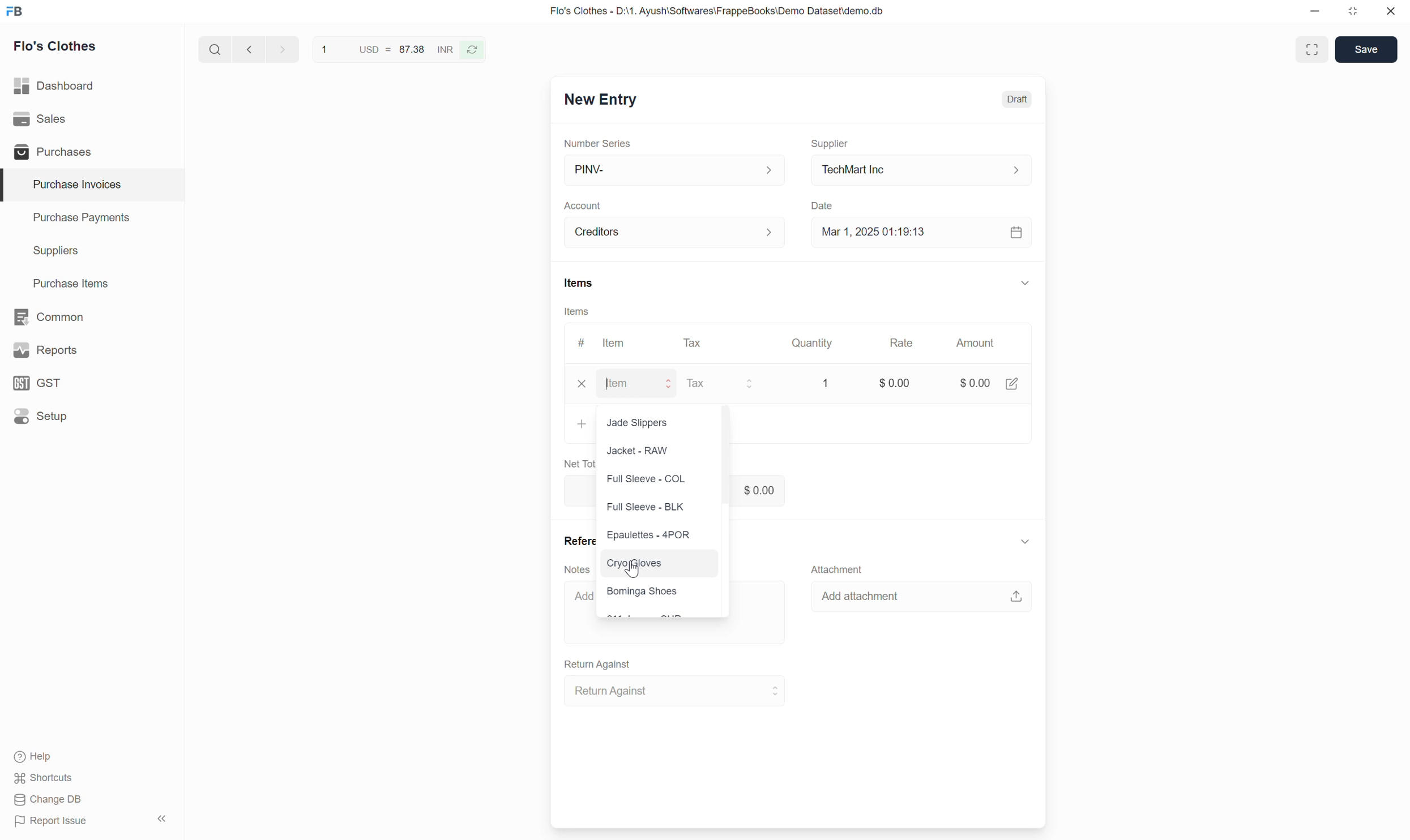 This screenshot has height=840, width=1410. I want to click on ltem, so click(616, 345).